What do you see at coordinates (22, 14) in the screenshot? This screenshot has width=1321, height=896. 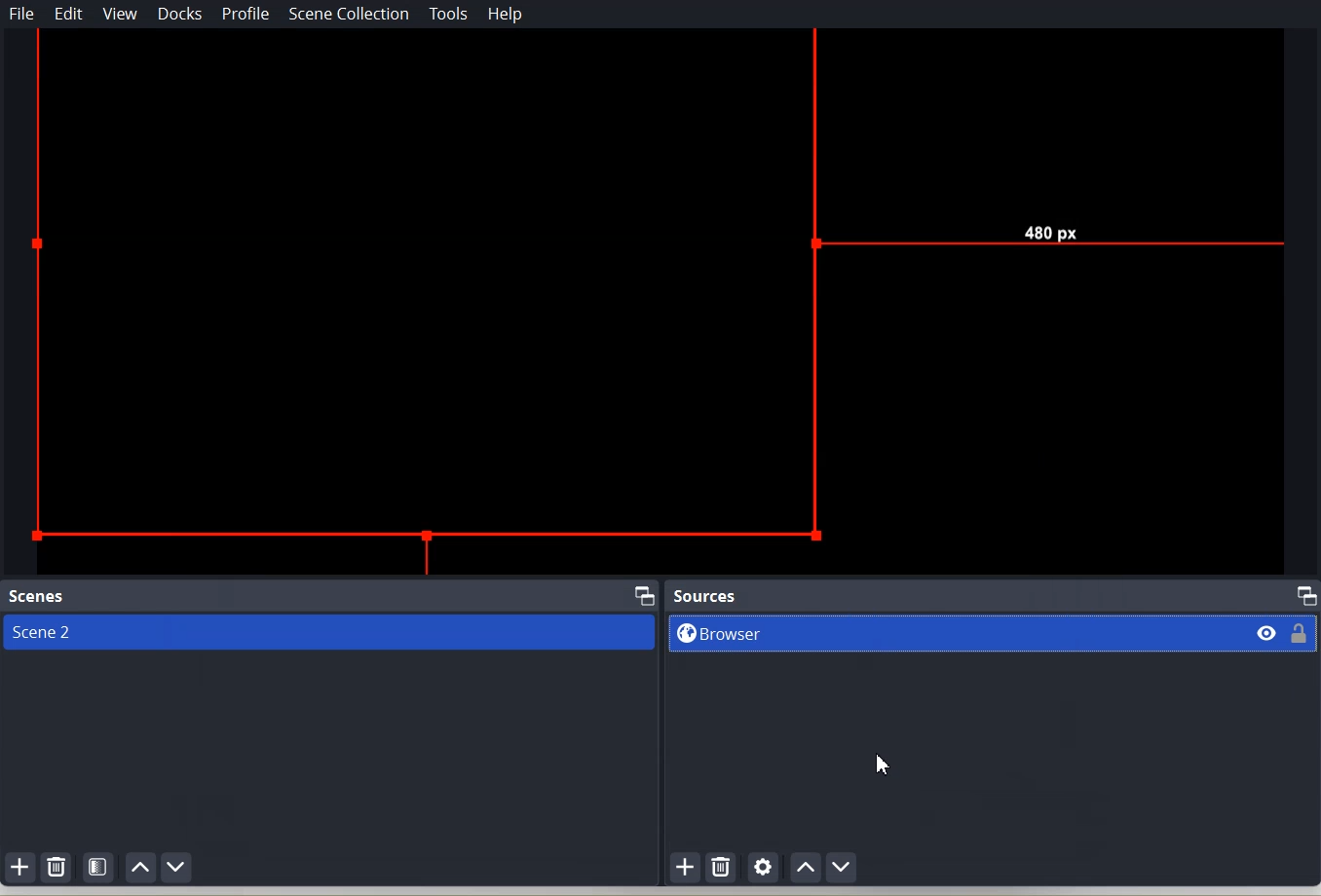 I see `File` at bounding box center [22, 14].